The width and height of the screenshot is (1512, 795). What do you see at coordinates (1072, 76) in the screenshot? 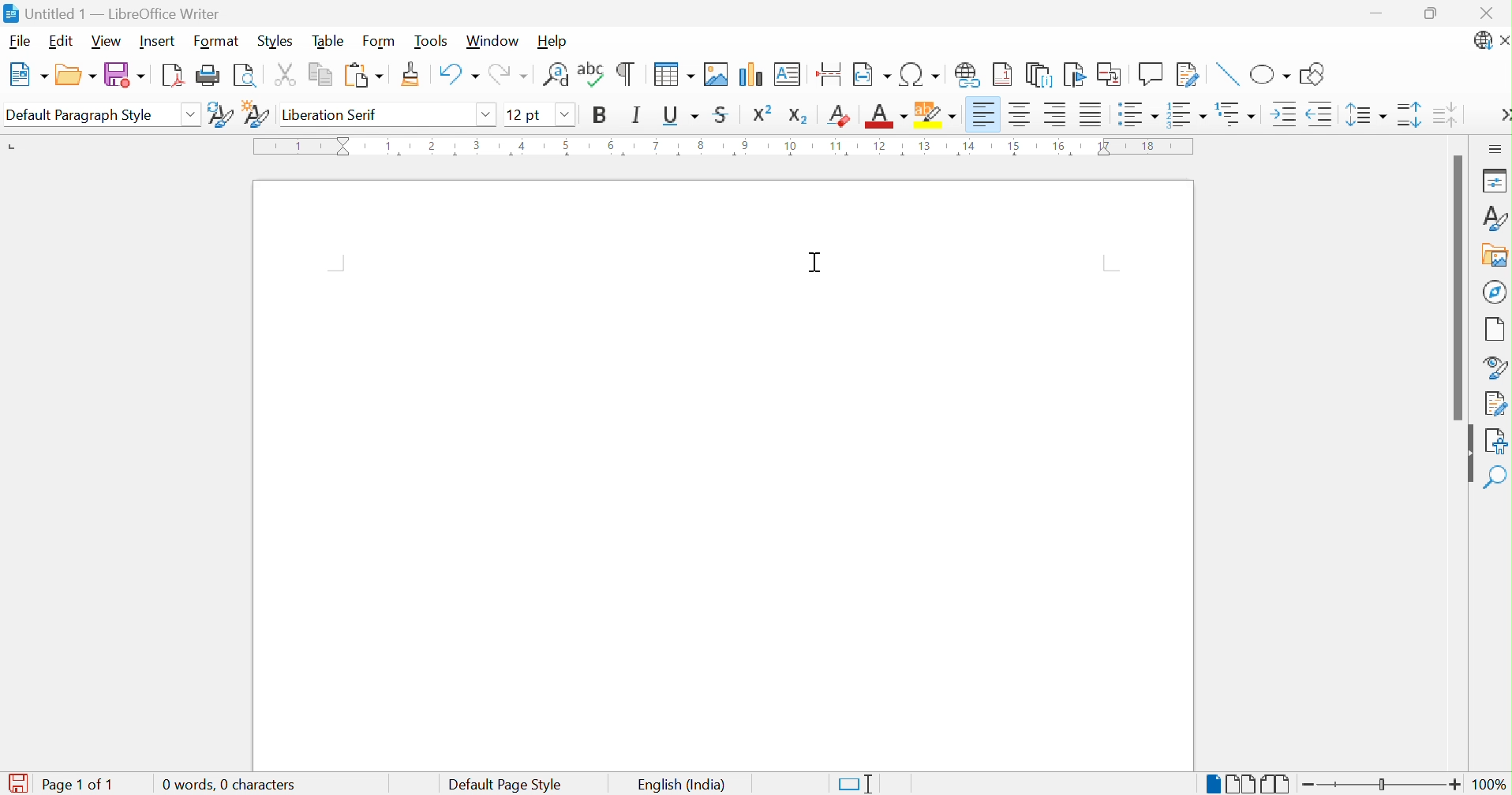
I see `Insert bookmark` at bounding box center [1072, 76].